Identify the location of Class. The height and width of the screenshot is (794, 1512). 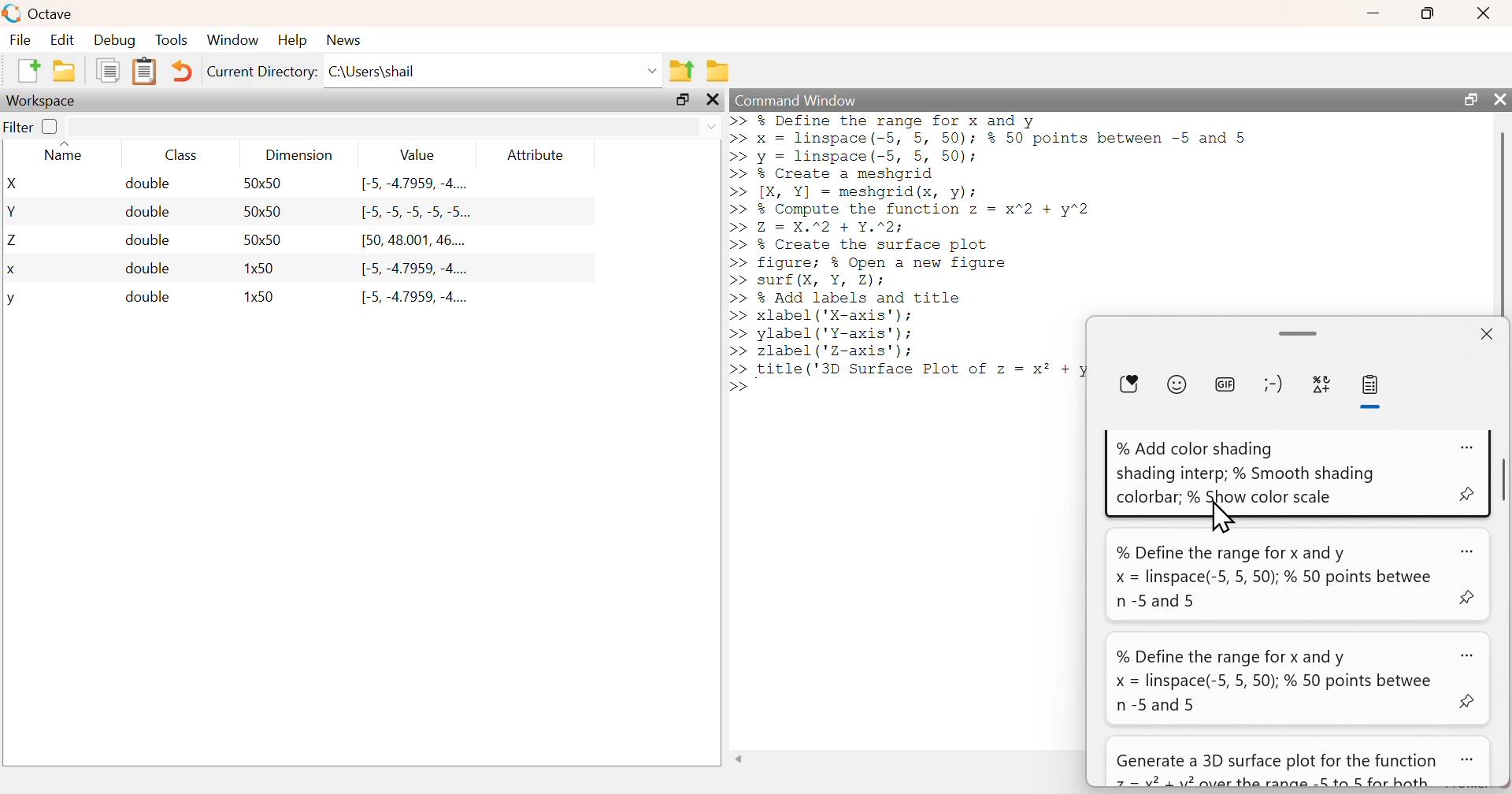
(181, 154).